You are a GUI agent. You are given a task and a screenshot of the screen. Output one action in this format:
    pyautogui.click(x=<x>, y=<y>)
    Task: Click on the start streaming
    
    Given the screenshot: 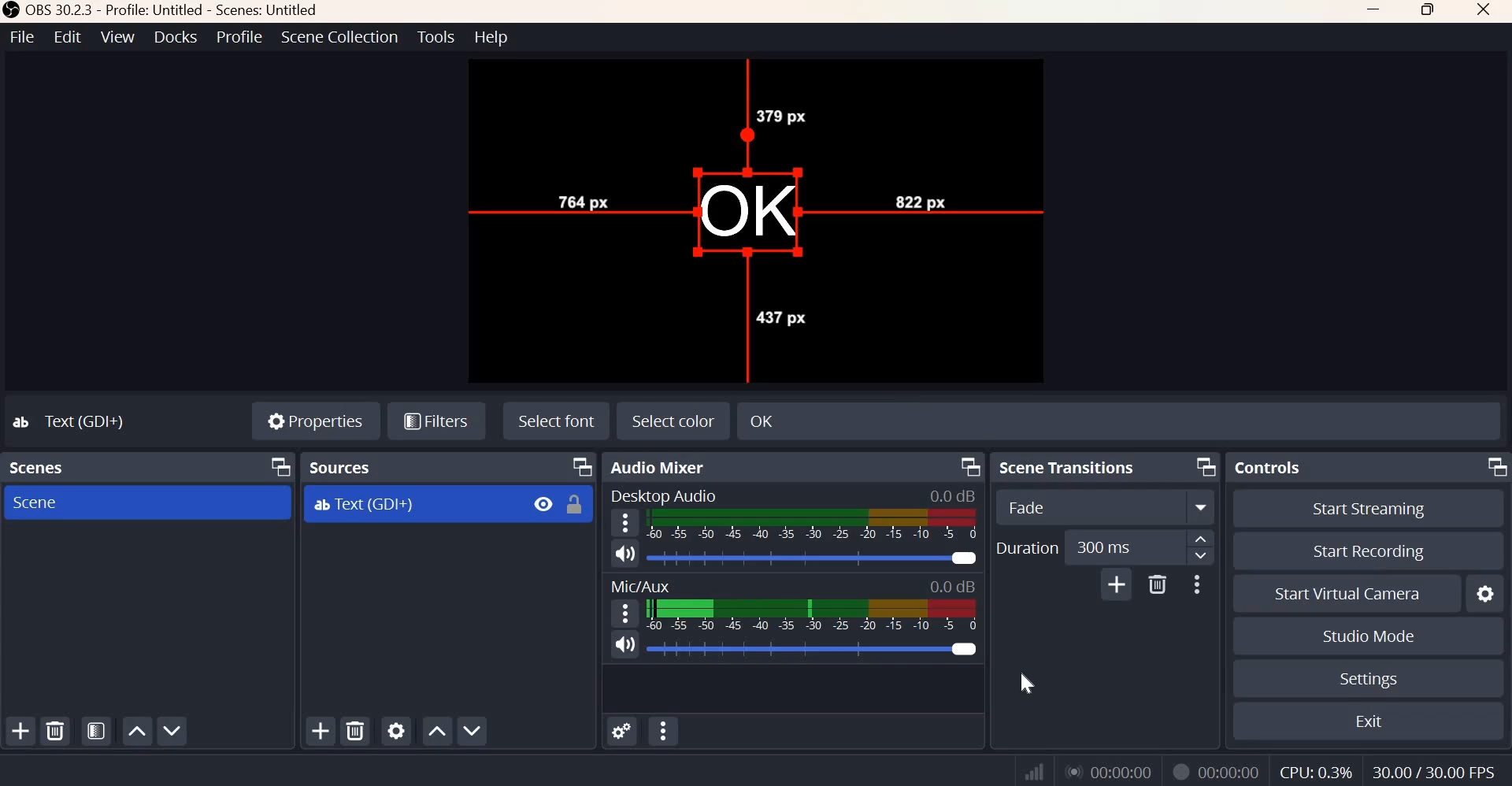 What is the action you would take?
    pyautogui.click(x=1370, y=510)
    